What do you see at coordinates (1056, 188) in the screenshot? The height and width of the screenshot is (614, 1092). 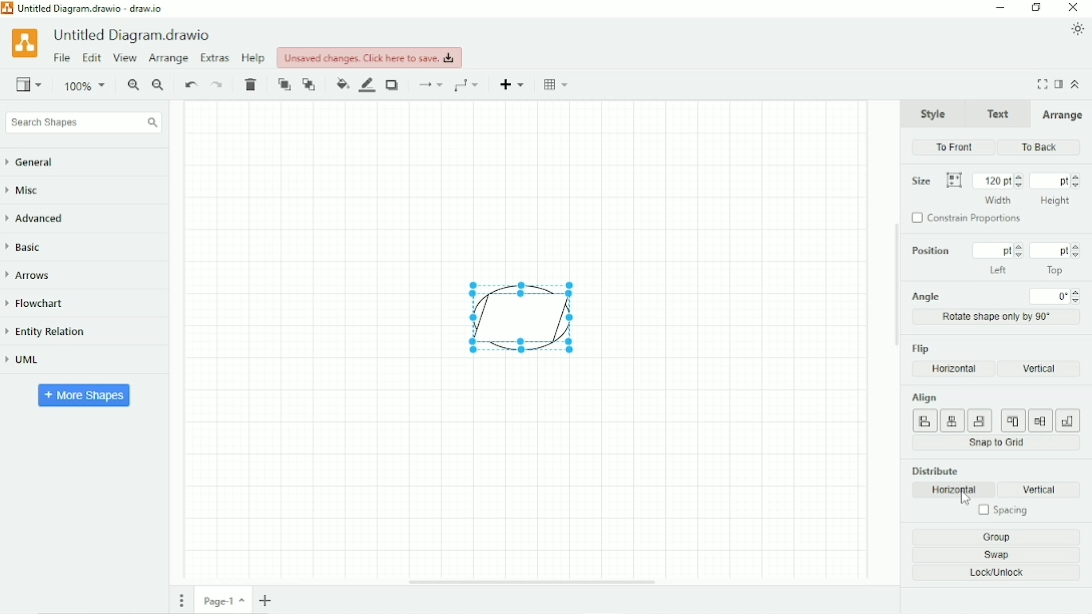 I see `Height` at bounding box center [1056, 188].